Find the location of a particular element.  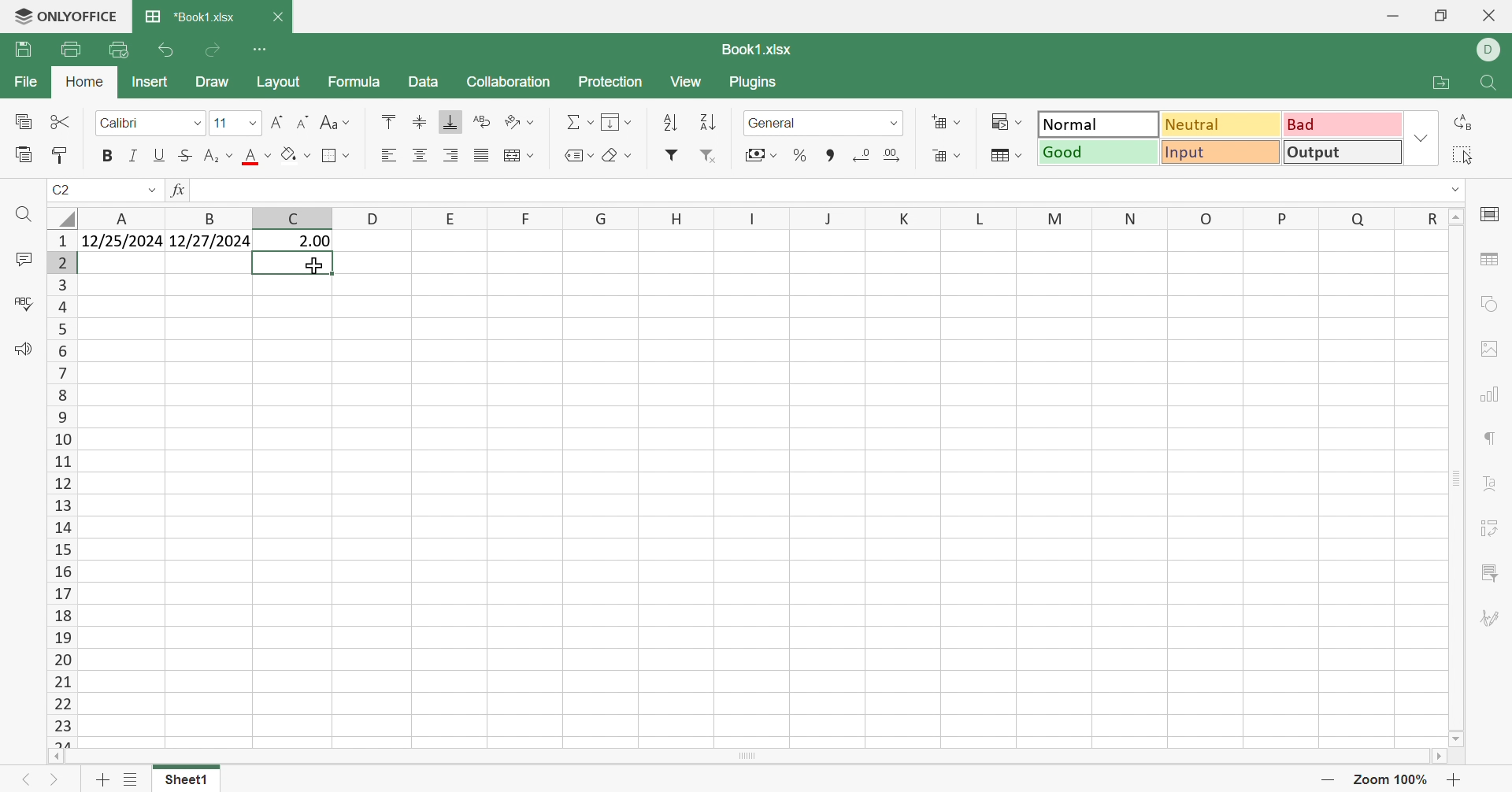

Protection is located at coordinates (609, 83).